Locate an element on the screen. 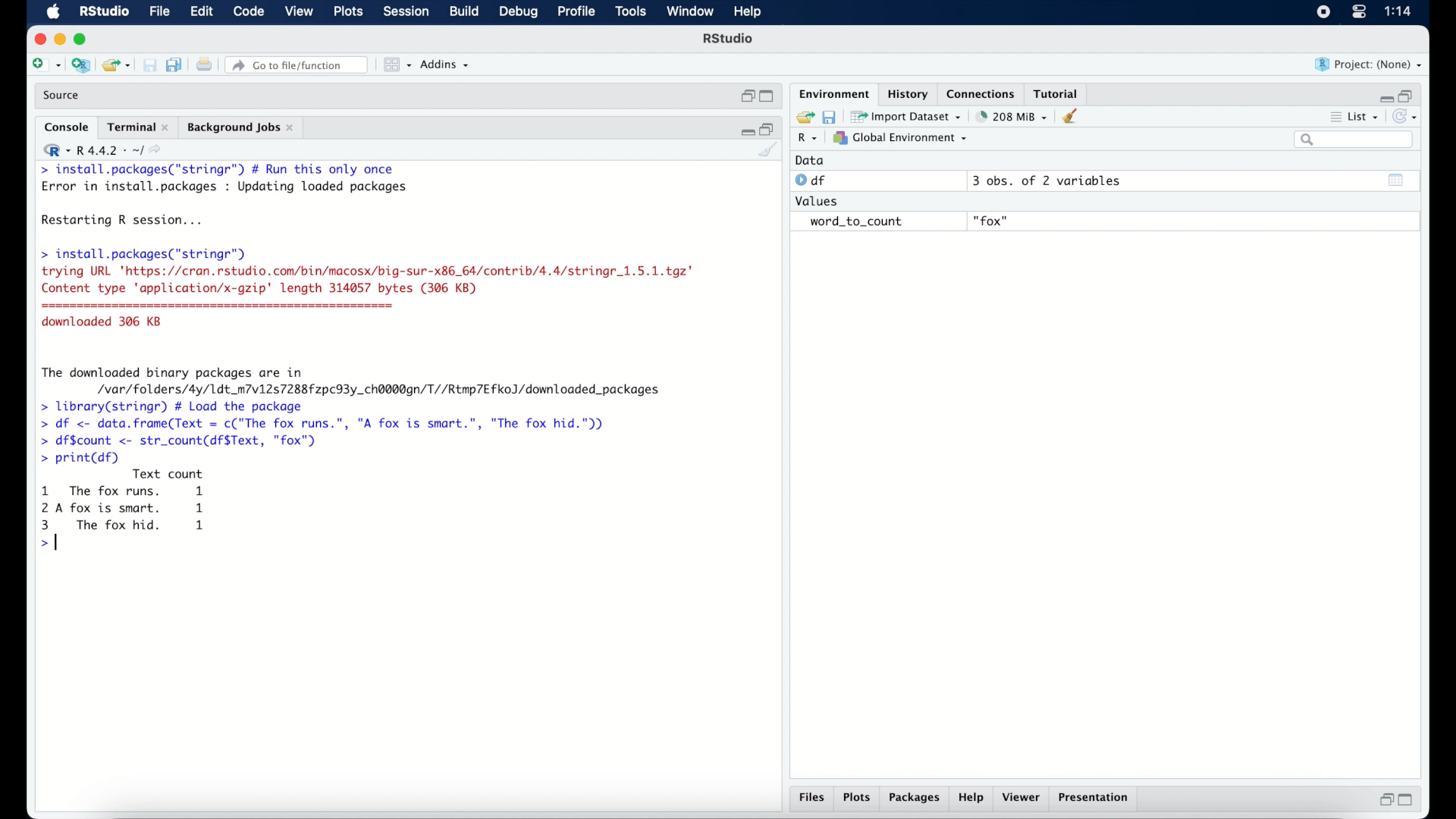 This screenshot has height=819, width=1456. build is located at coordinates (463, 11).